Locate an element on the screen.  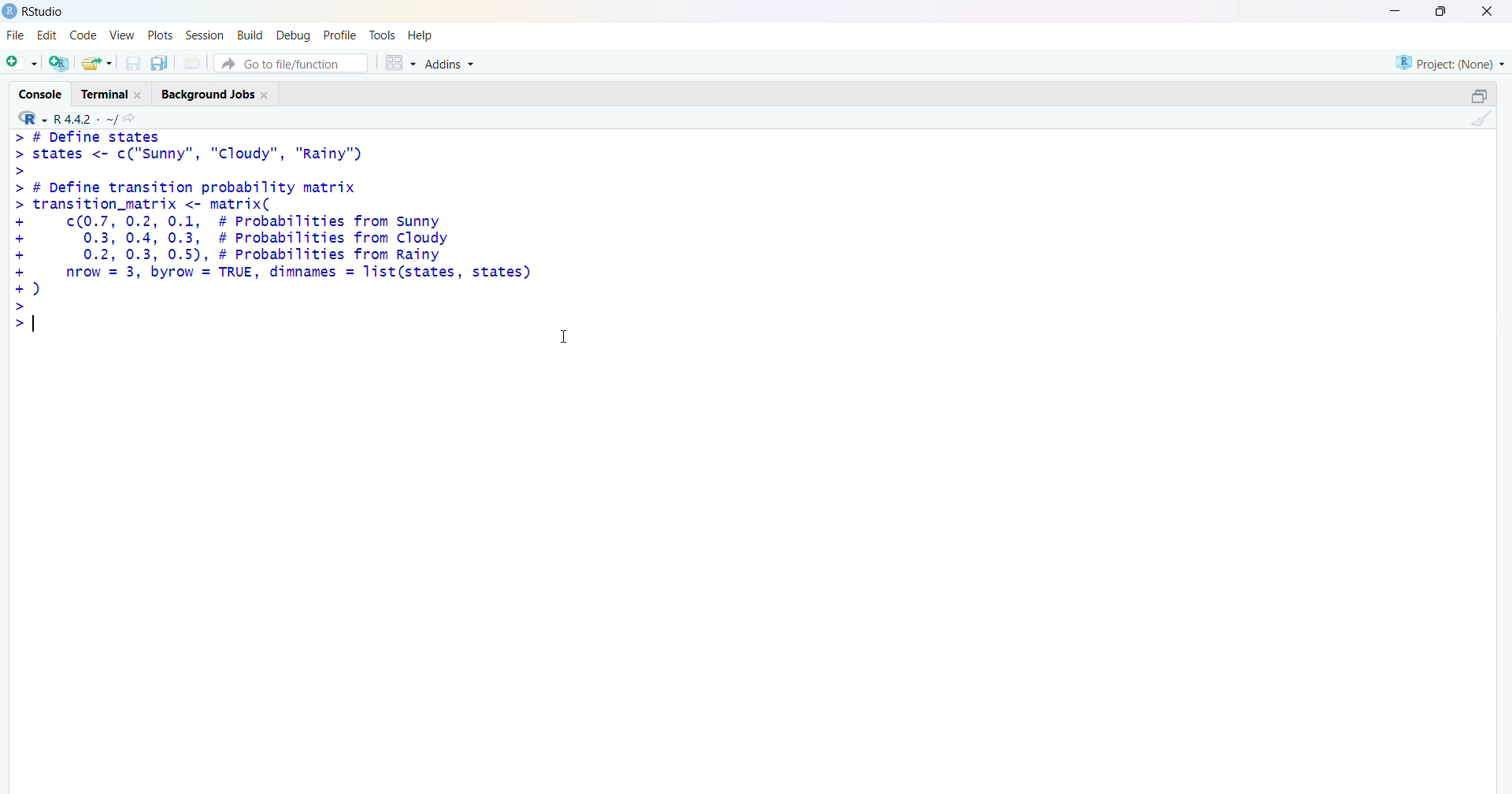
save all open document is located at coordinates (158, 64).